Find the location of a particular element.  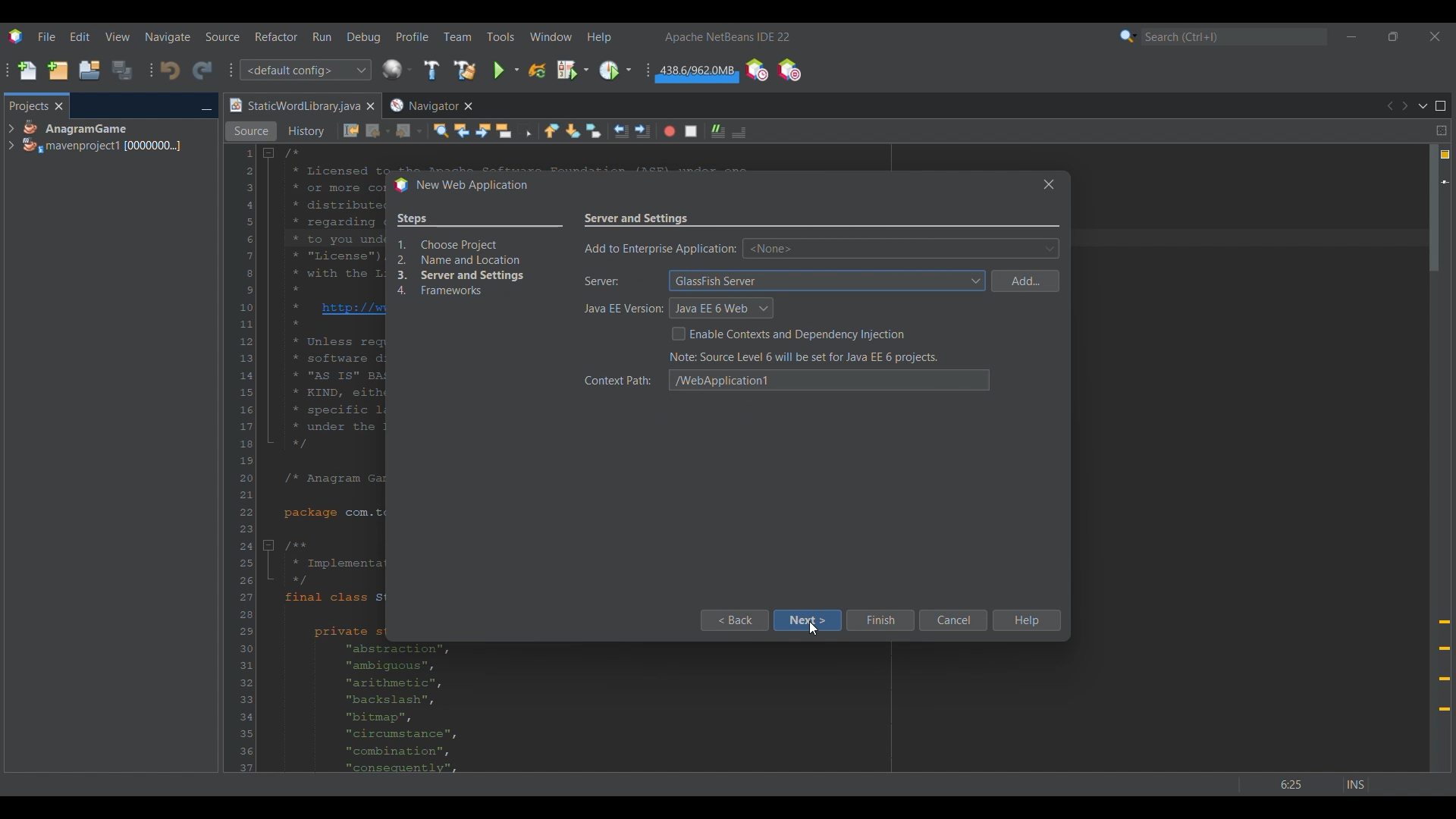

Options for respective setting is located at coordinates (828, 295).